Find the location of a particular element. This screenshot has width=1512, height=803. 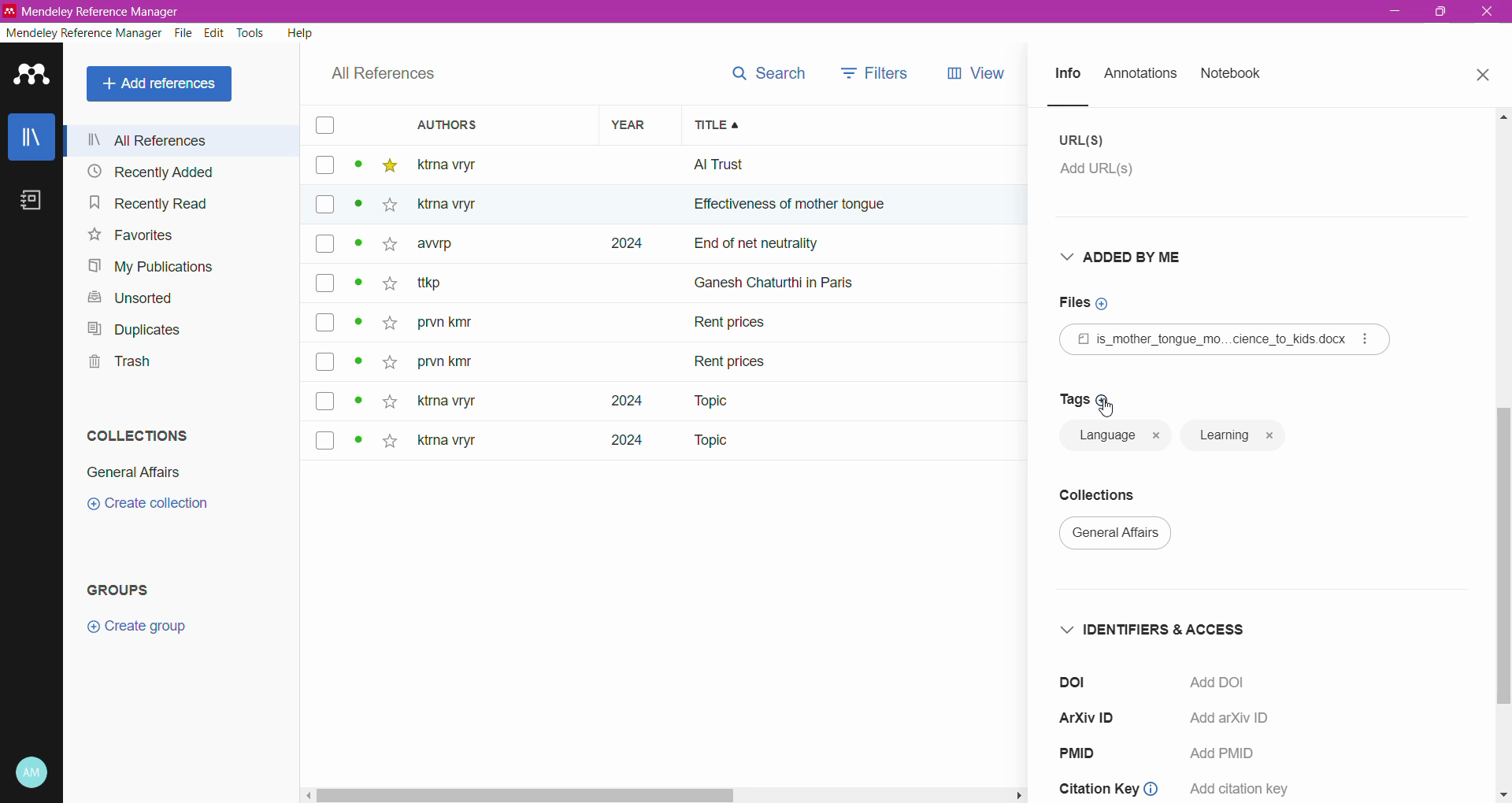

Title is located at coordinates (863, 125).